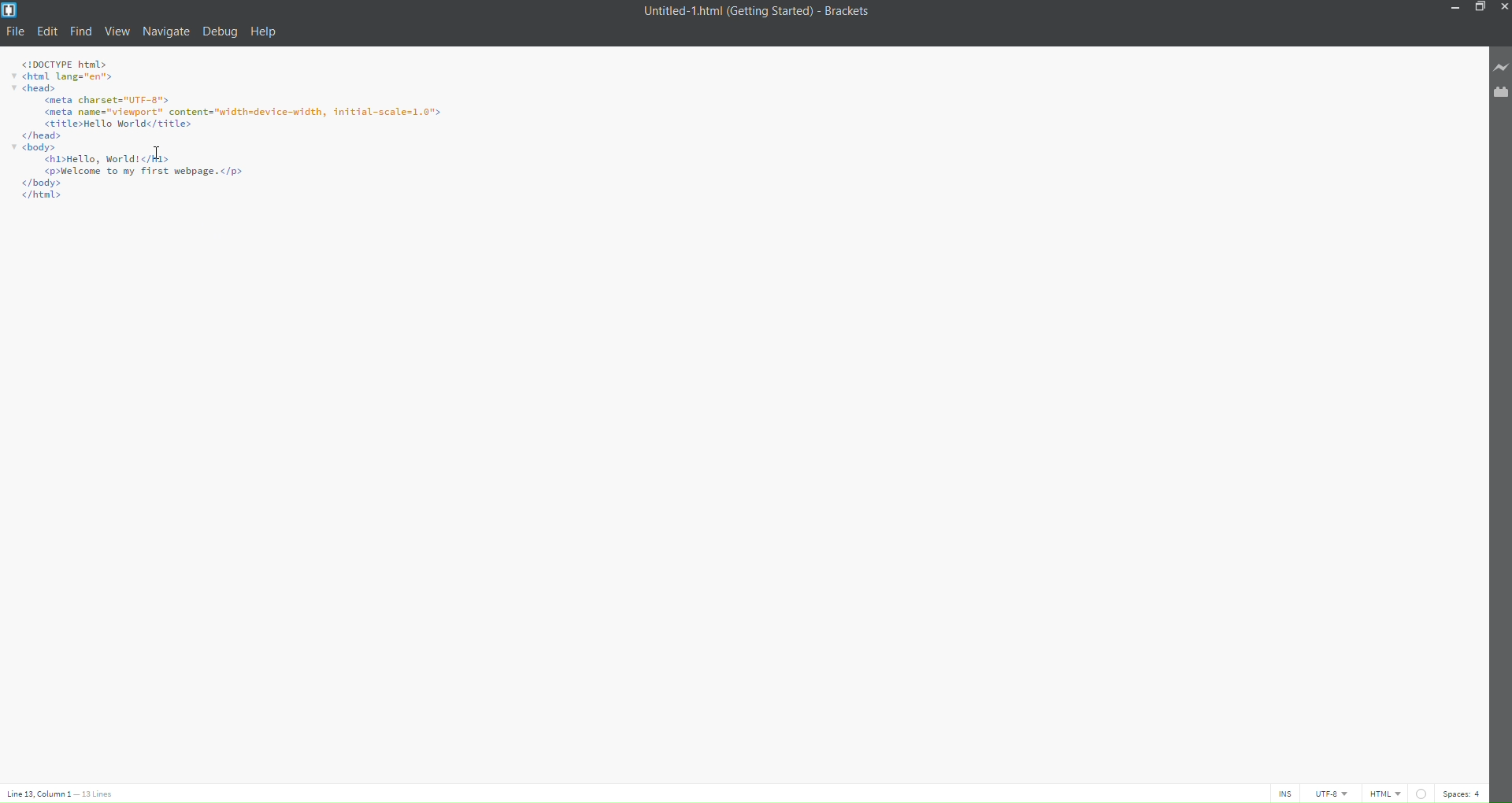 This screenshot has width=1512, height=803. I want to click on debug, so click(219, 35).